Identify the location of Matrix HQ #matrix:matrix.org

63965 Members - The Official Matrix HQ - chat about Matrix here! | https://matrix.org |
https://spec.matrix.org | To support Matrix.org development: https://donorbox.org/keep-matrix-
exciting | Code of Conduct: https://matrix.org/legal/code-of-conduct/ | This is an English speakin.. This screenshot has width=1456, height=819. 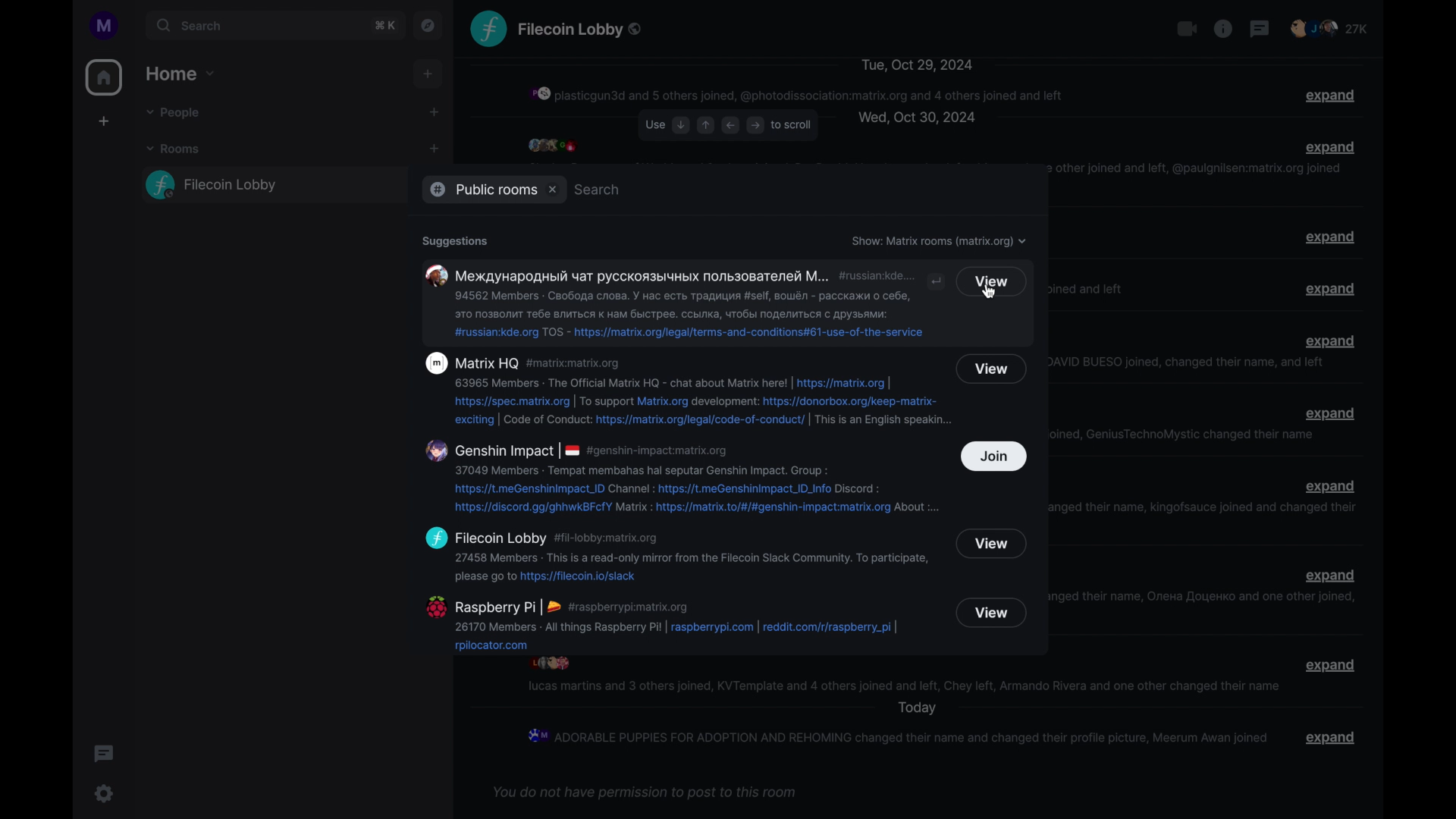
(681, 390).